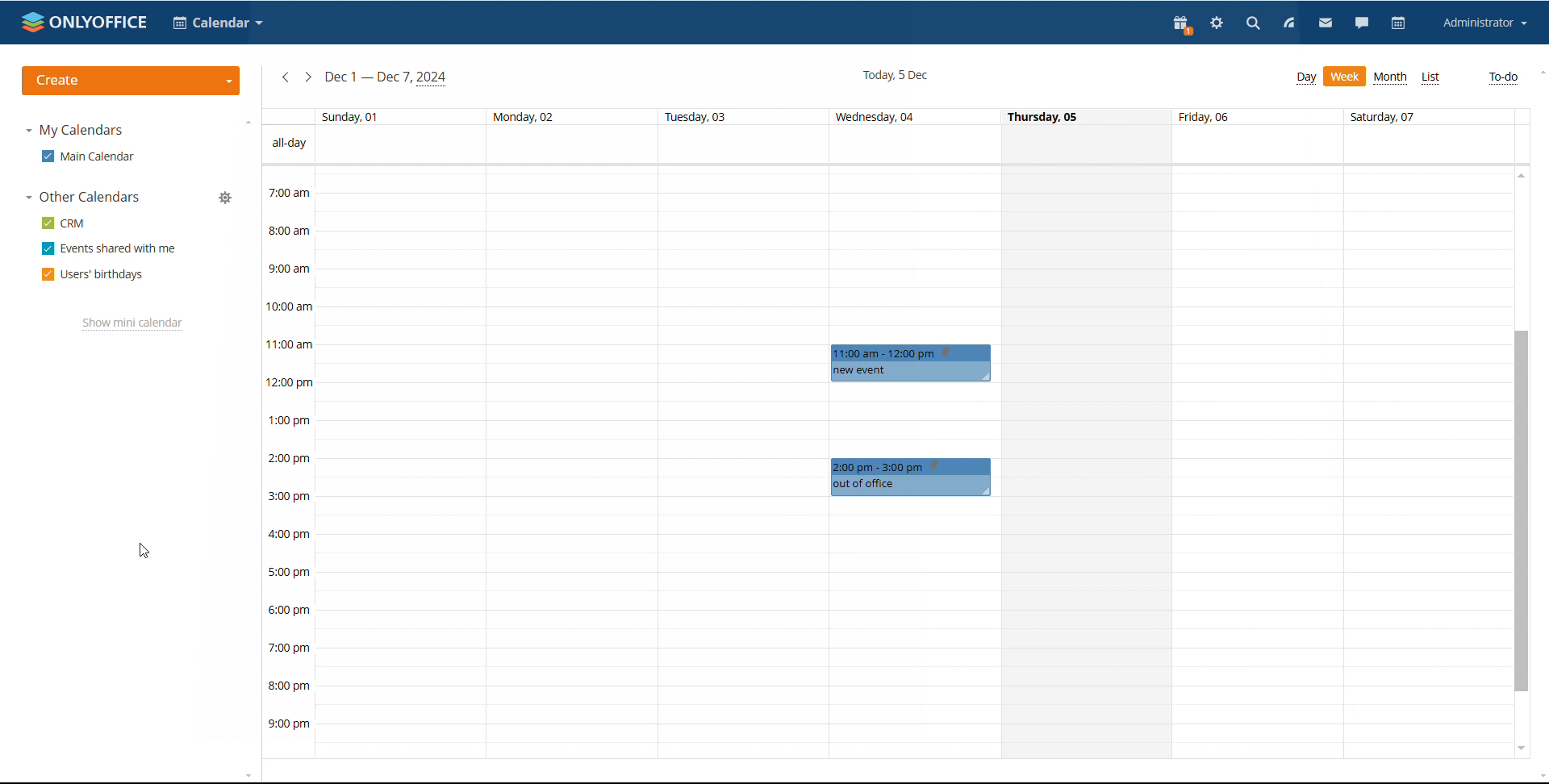 This screenshot has height=784, width=1549. I want to click on account, so click(1486, 23).